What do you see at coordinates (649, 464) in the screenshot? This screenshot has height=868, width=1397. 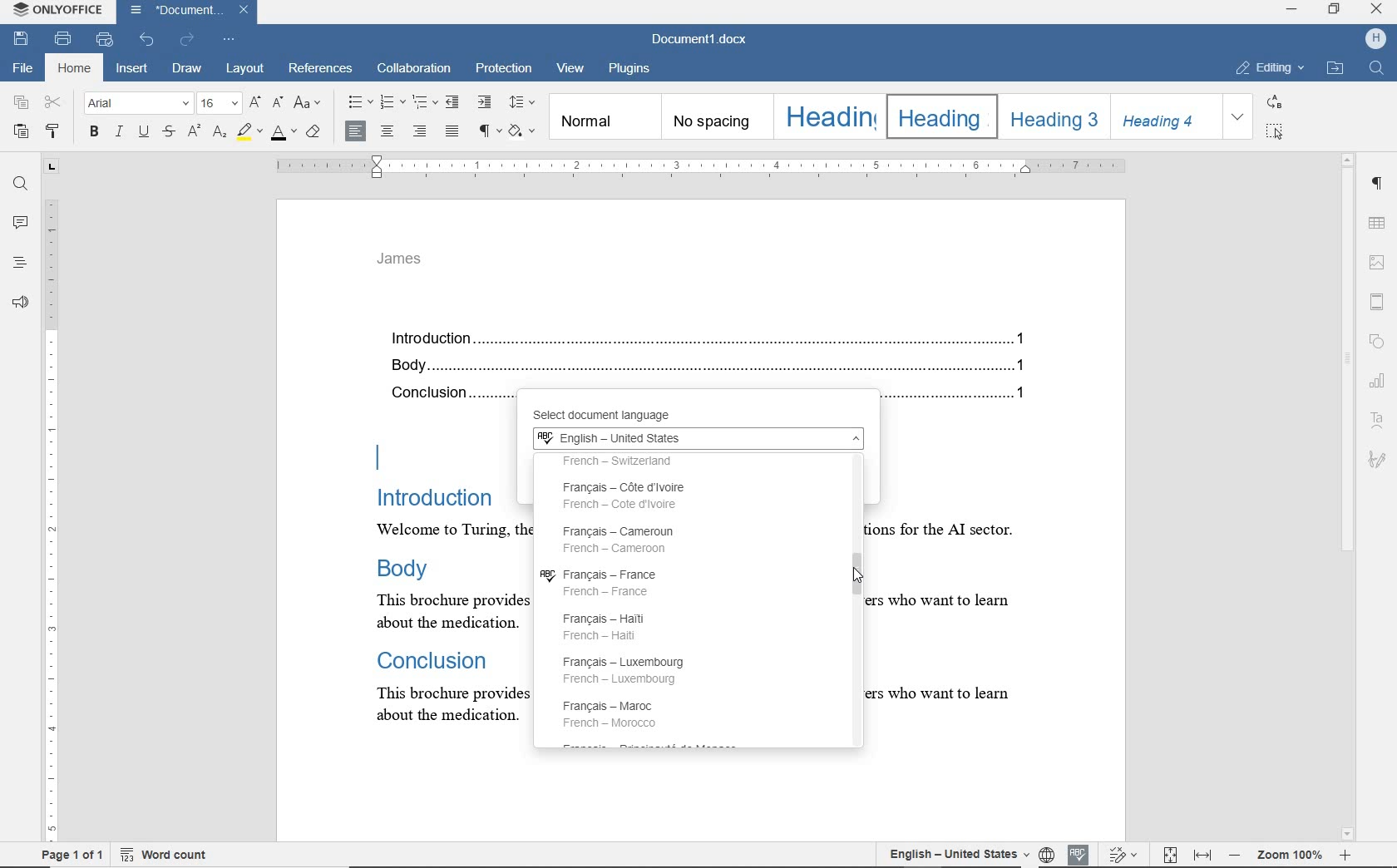 I see `French - Switzerland` at bounding box center [649, 464].